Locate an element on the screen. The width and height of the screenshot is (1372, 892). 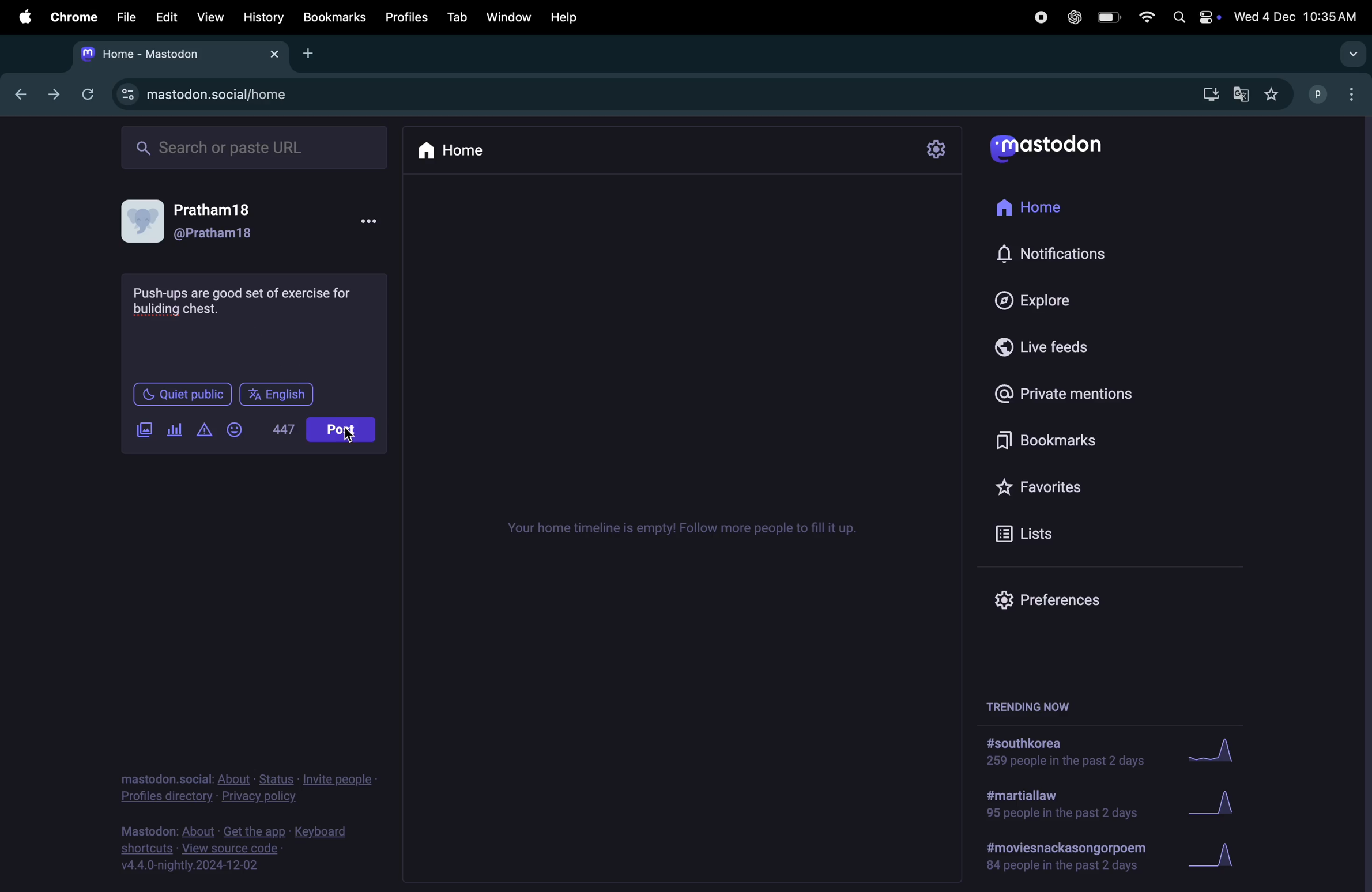
record is located at coordinates (1036, 18).